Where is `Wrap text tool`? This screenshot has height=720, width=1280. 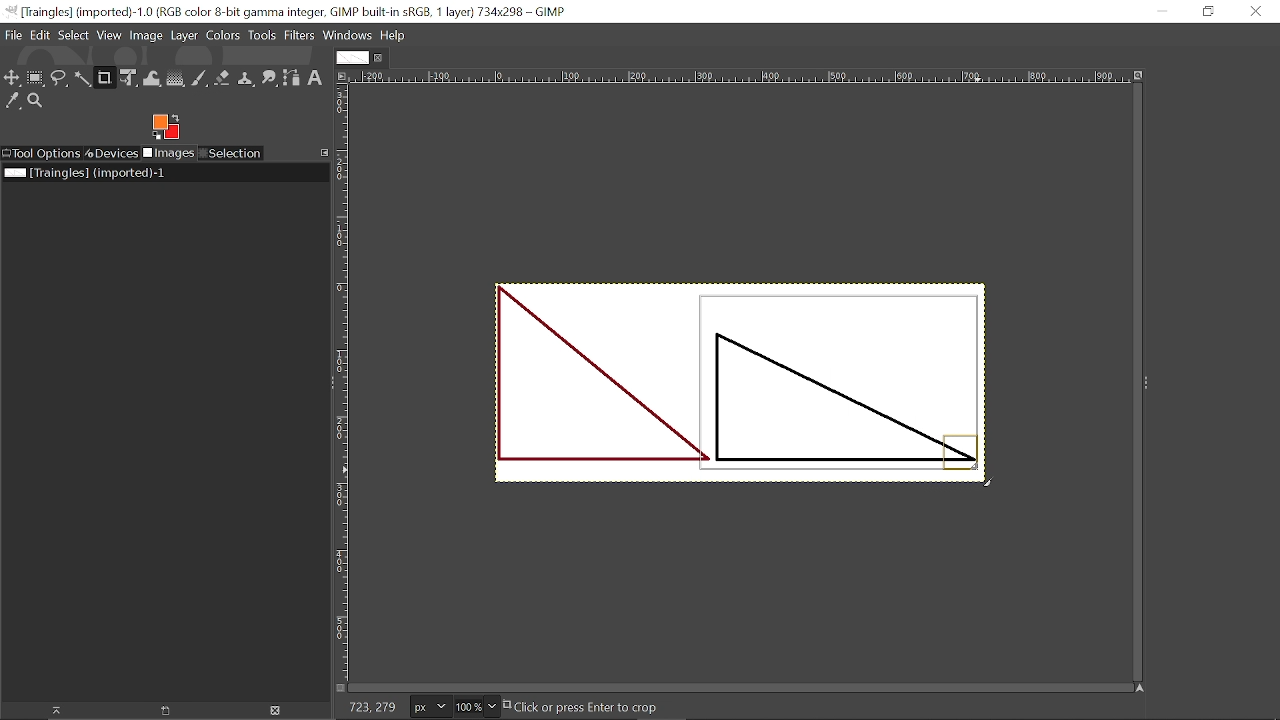 Wrap text tool is located at coordinates (153, 78).